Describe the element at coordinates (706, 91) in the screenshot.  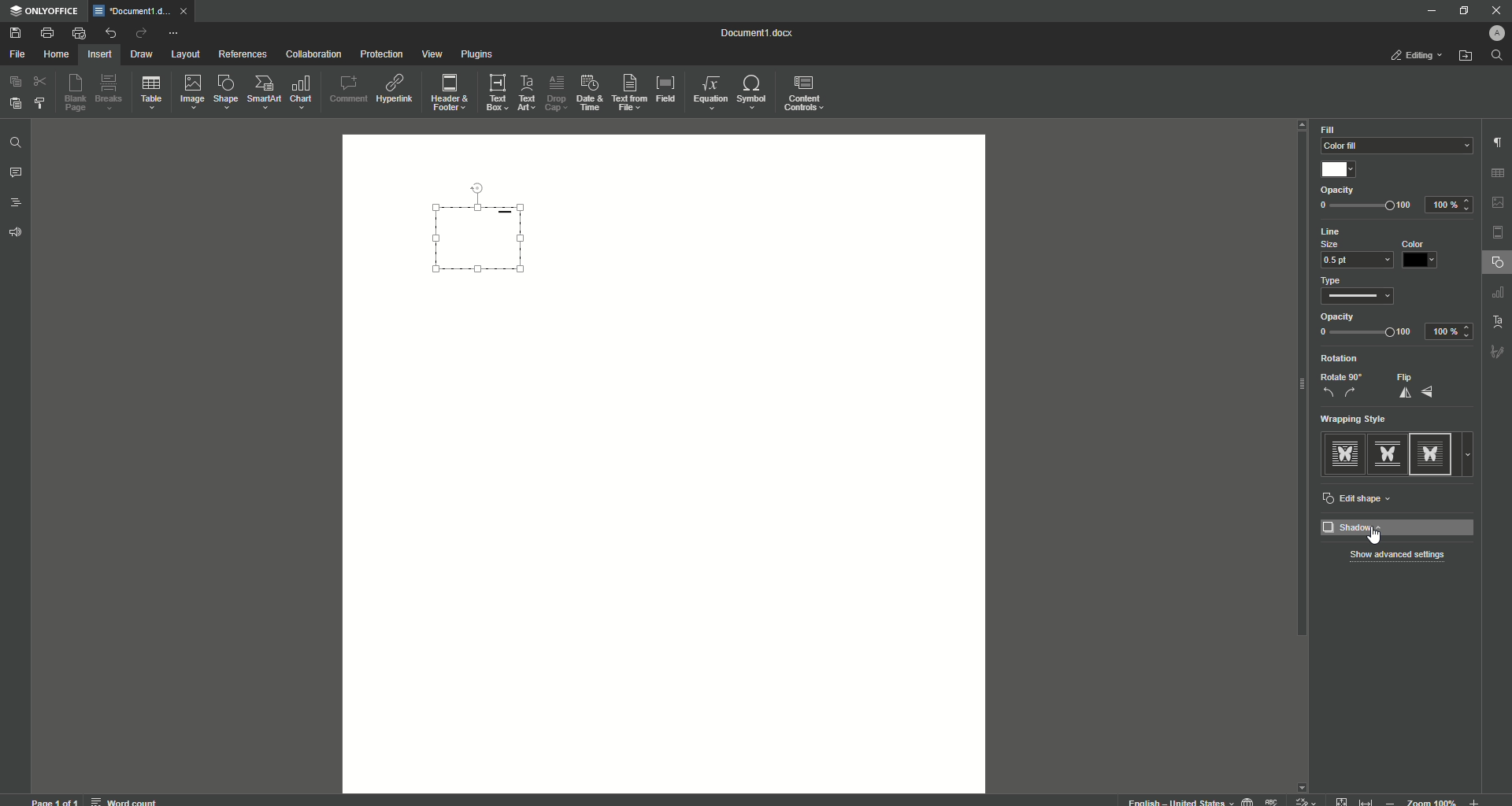
I see `Equation` at that location.